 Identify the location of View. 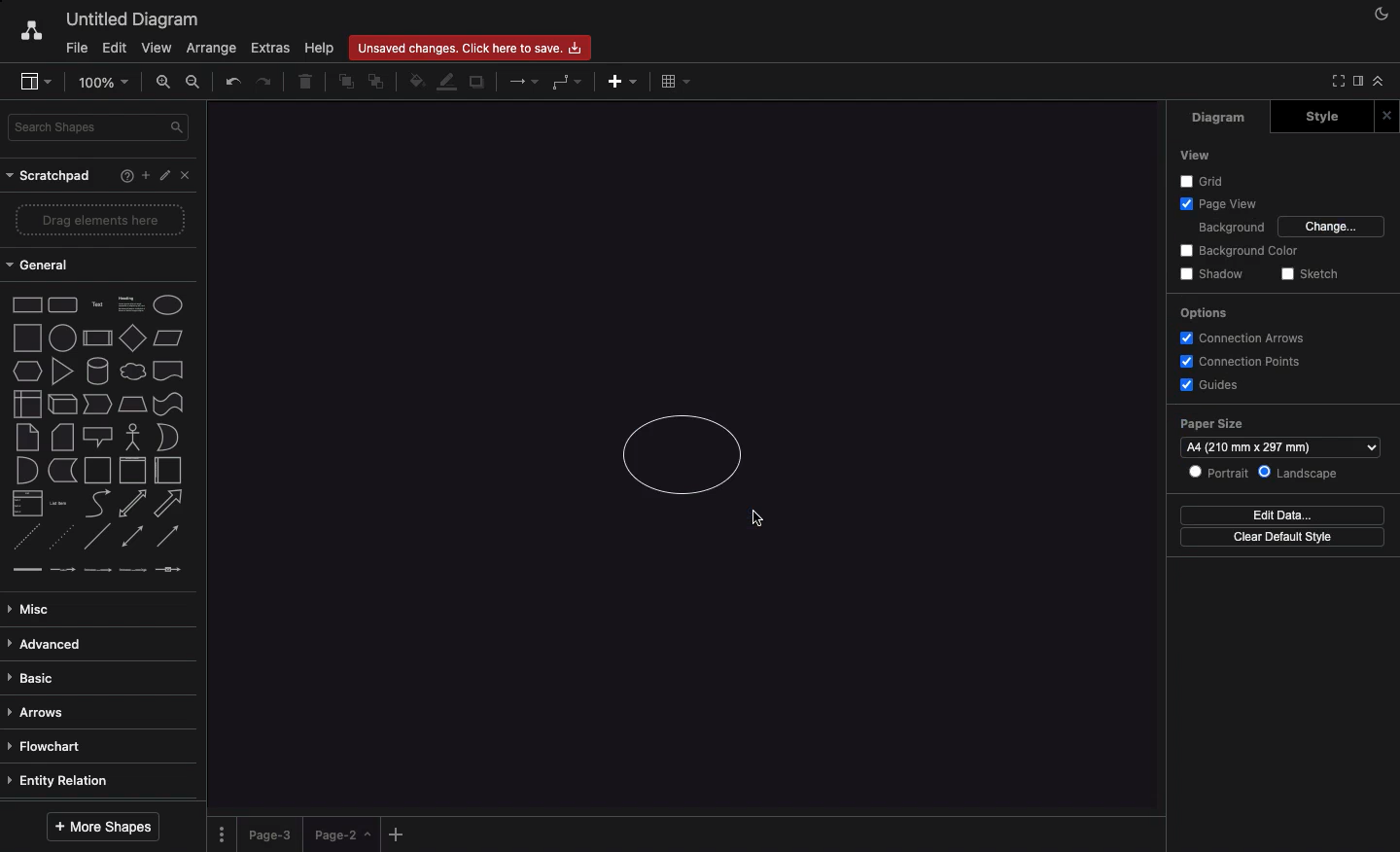
(1198, 155).